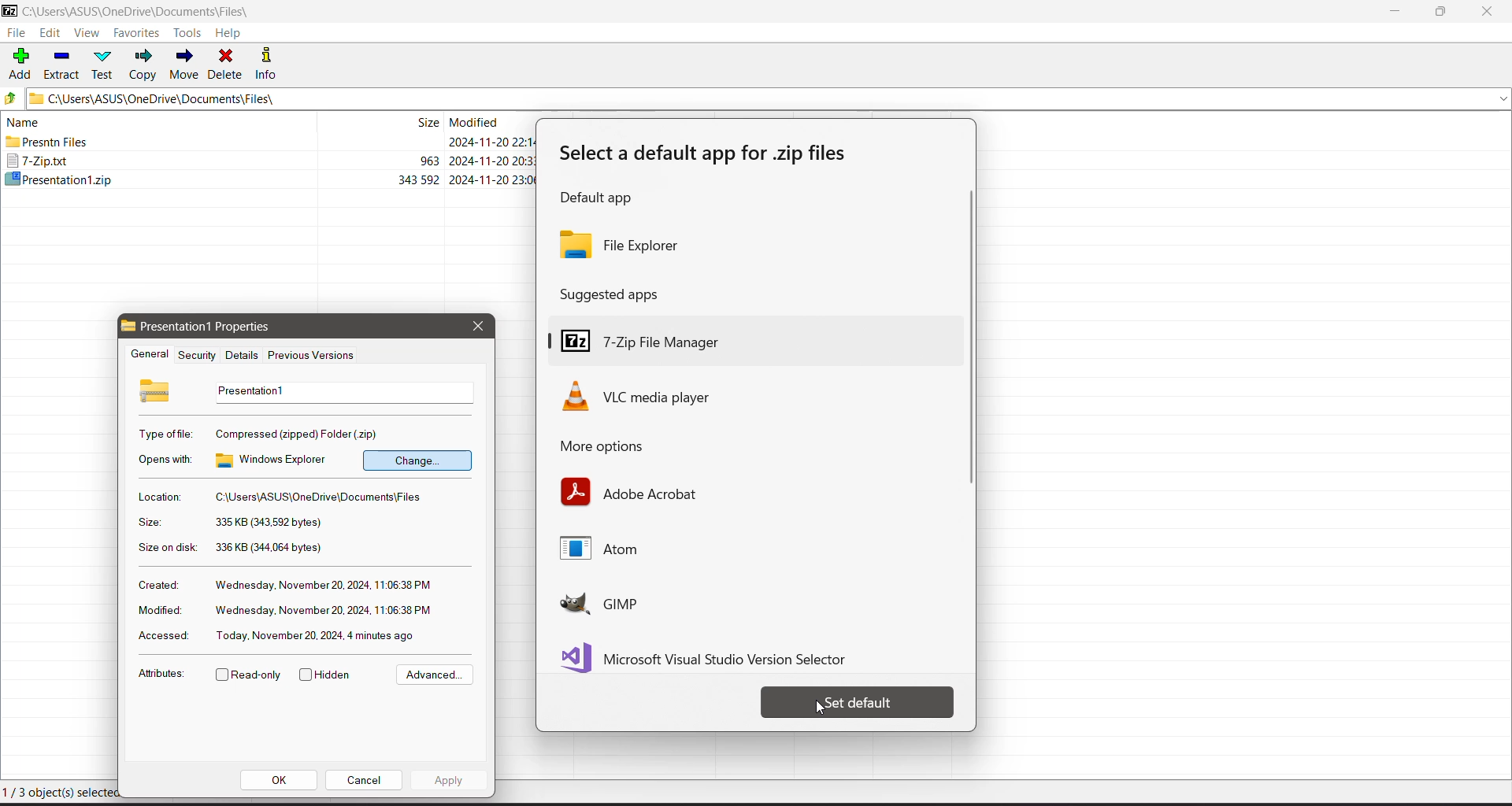 Image resolution: width=1512 pixels, height=806 pixels. What do you see at coordinates (340, 392) in the screenshot?
I see `Selected file name` at bounding box center [340, 392].